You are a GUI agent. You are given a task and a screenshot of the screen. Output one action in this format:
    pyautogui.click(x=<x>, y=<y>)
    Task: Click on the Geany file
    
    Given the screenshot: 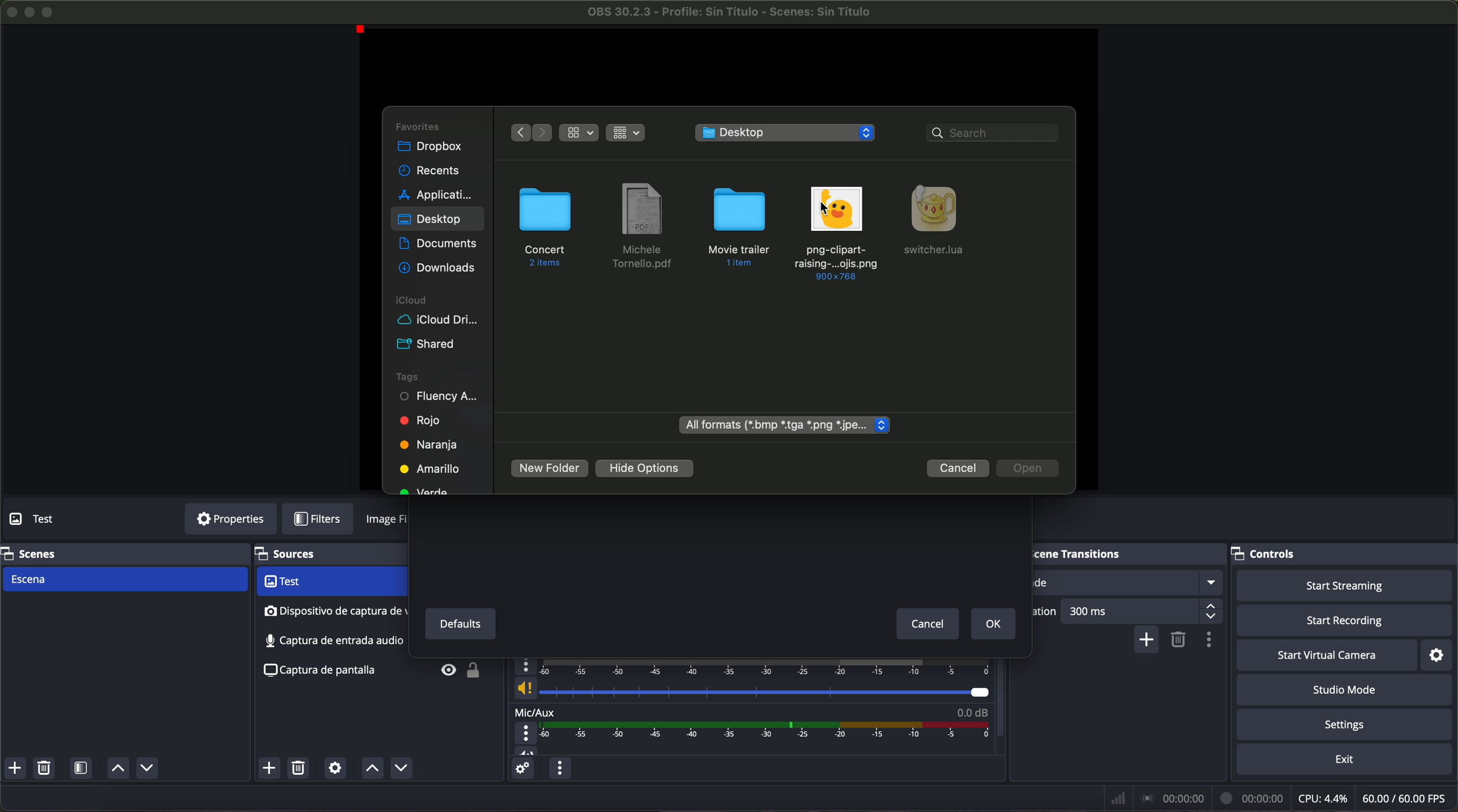 What is the action you would take?
    pyautogui.click(x=938, y=221)
    